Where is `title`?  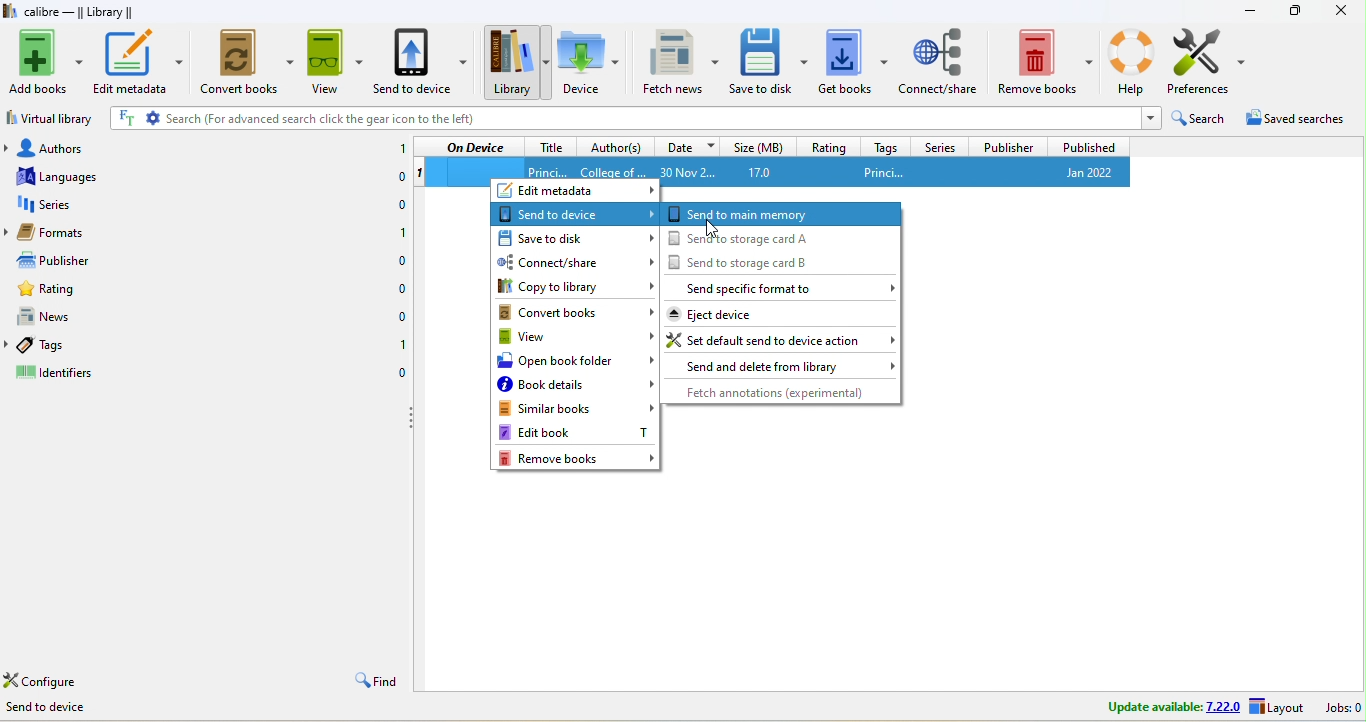 title is located at coordinates (550, 145).